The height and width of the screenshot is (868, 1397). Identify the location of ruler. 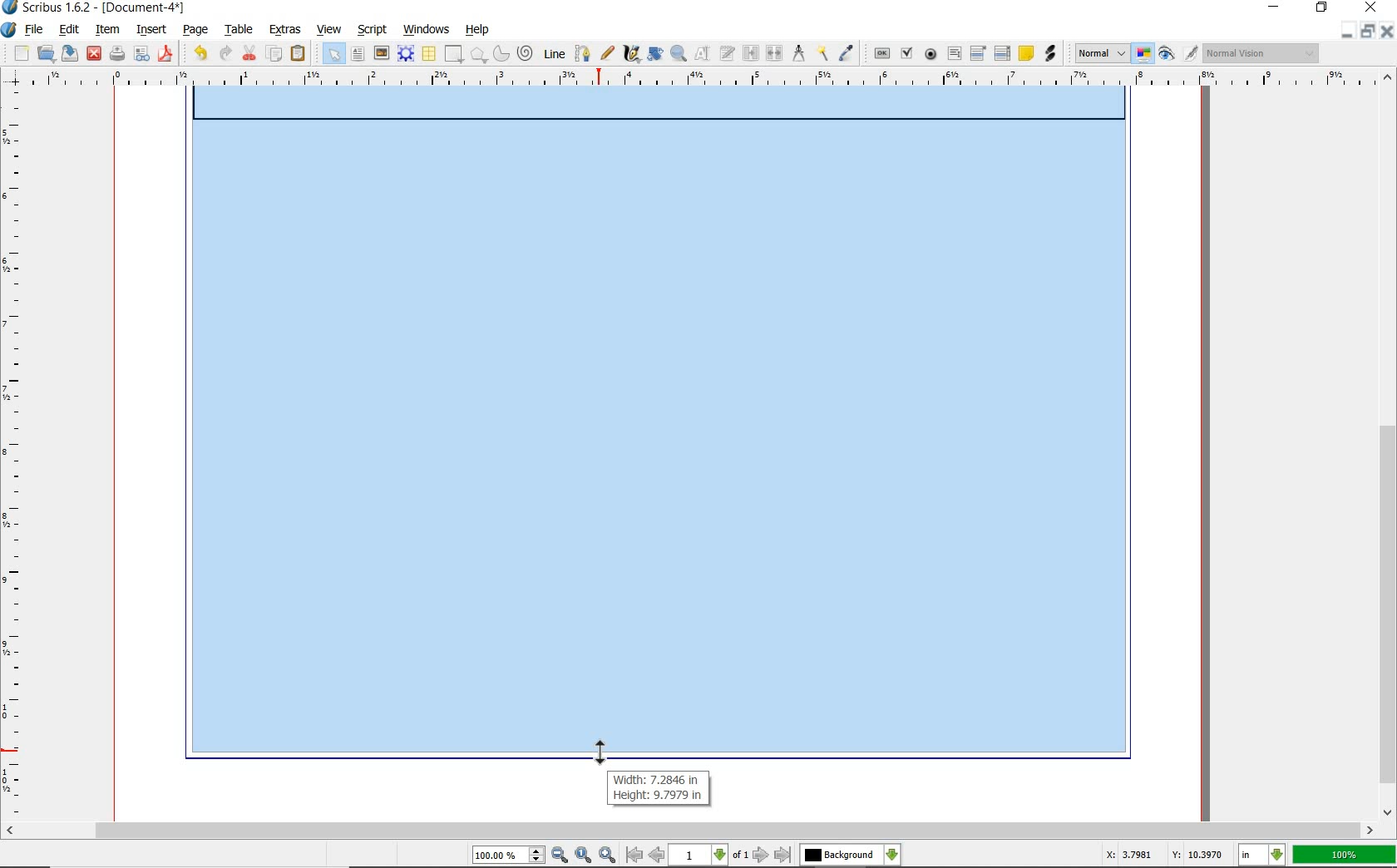
(15, 457).